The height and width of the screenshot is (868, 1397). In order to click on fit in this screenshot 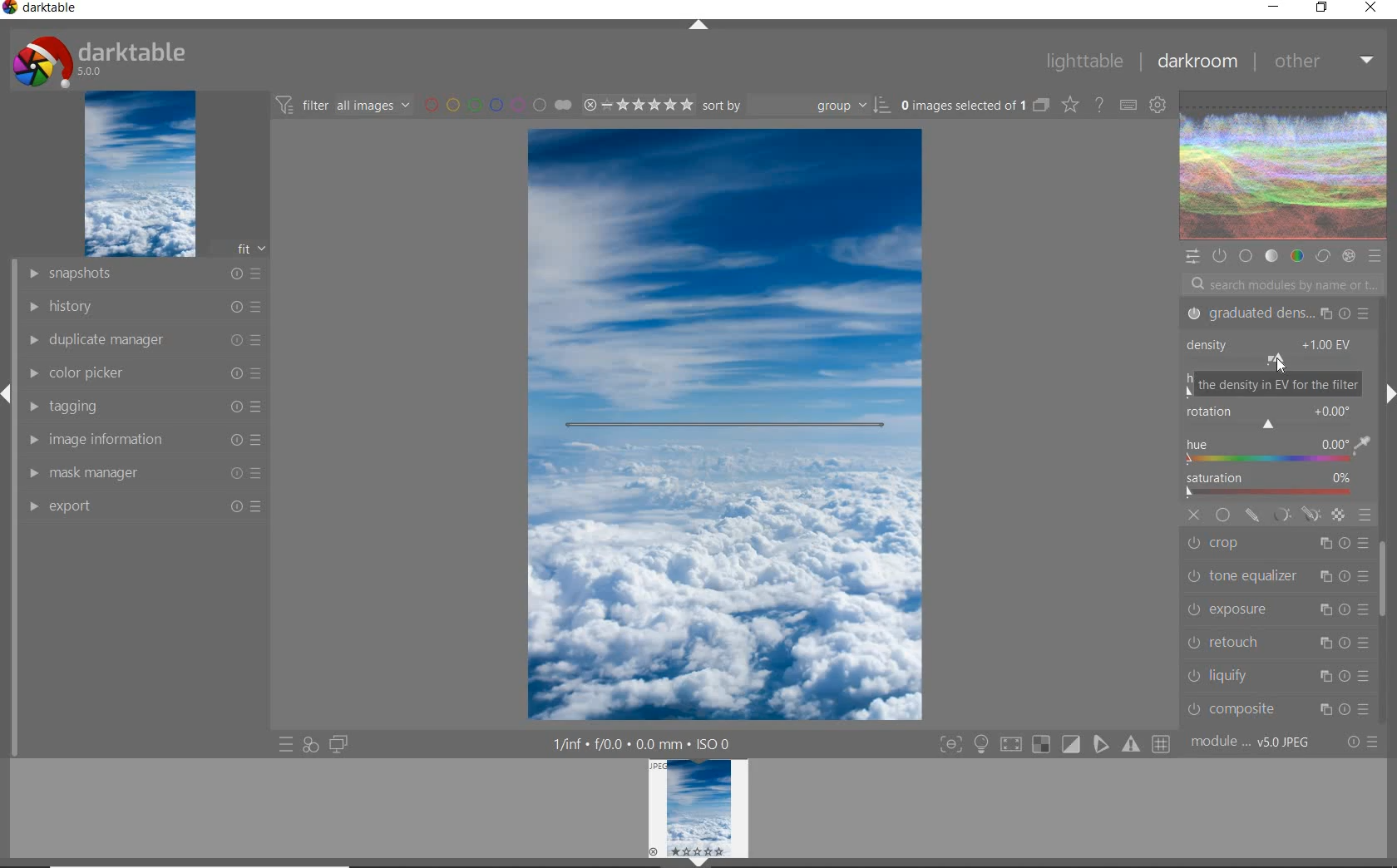, I will do `click(241, 249)`.